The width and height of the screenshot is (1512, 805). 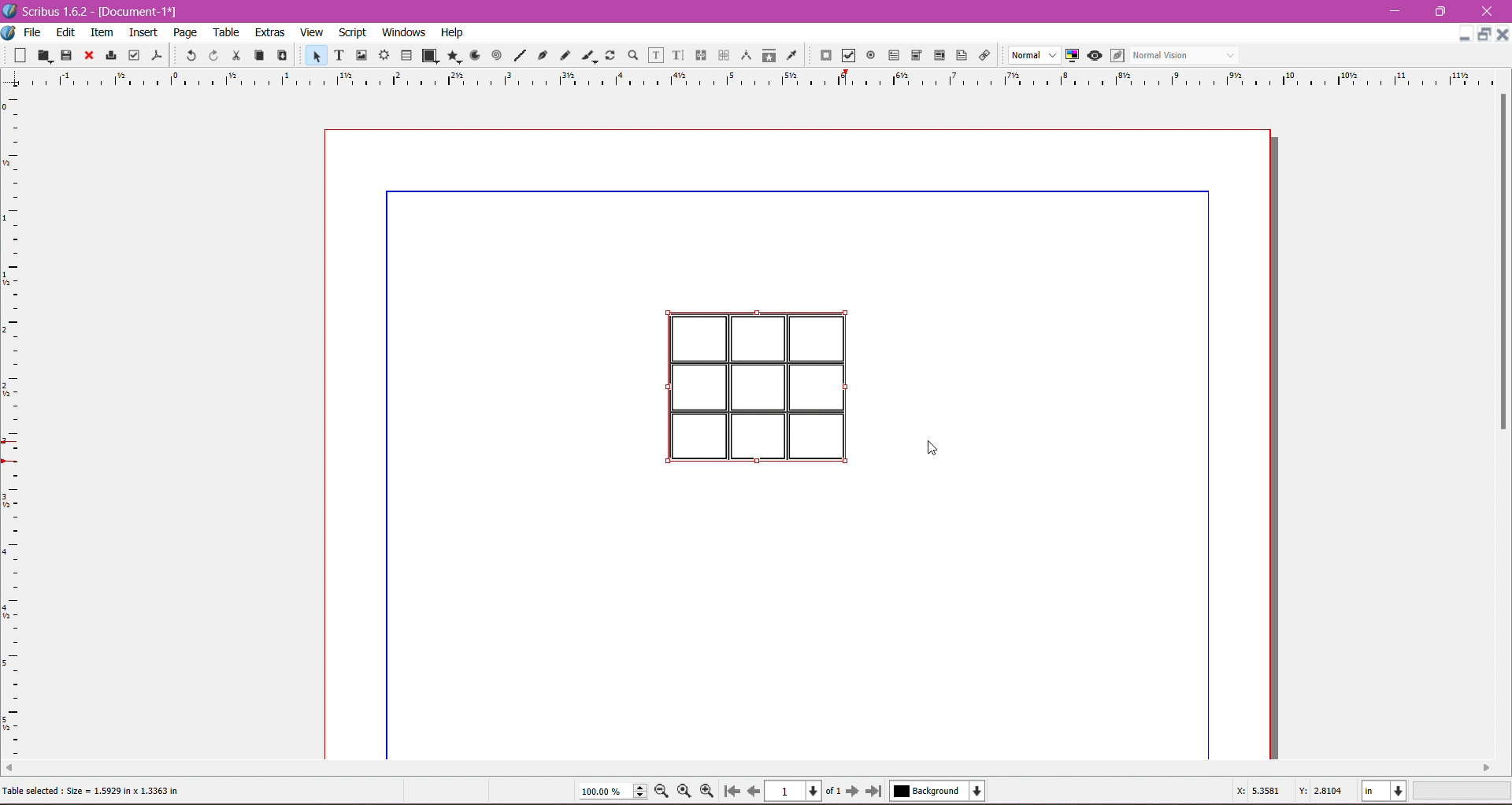 What do you see at coordinates (406, 55) in the screenshot?
I see `Tables` at bounding box center [406, 55].